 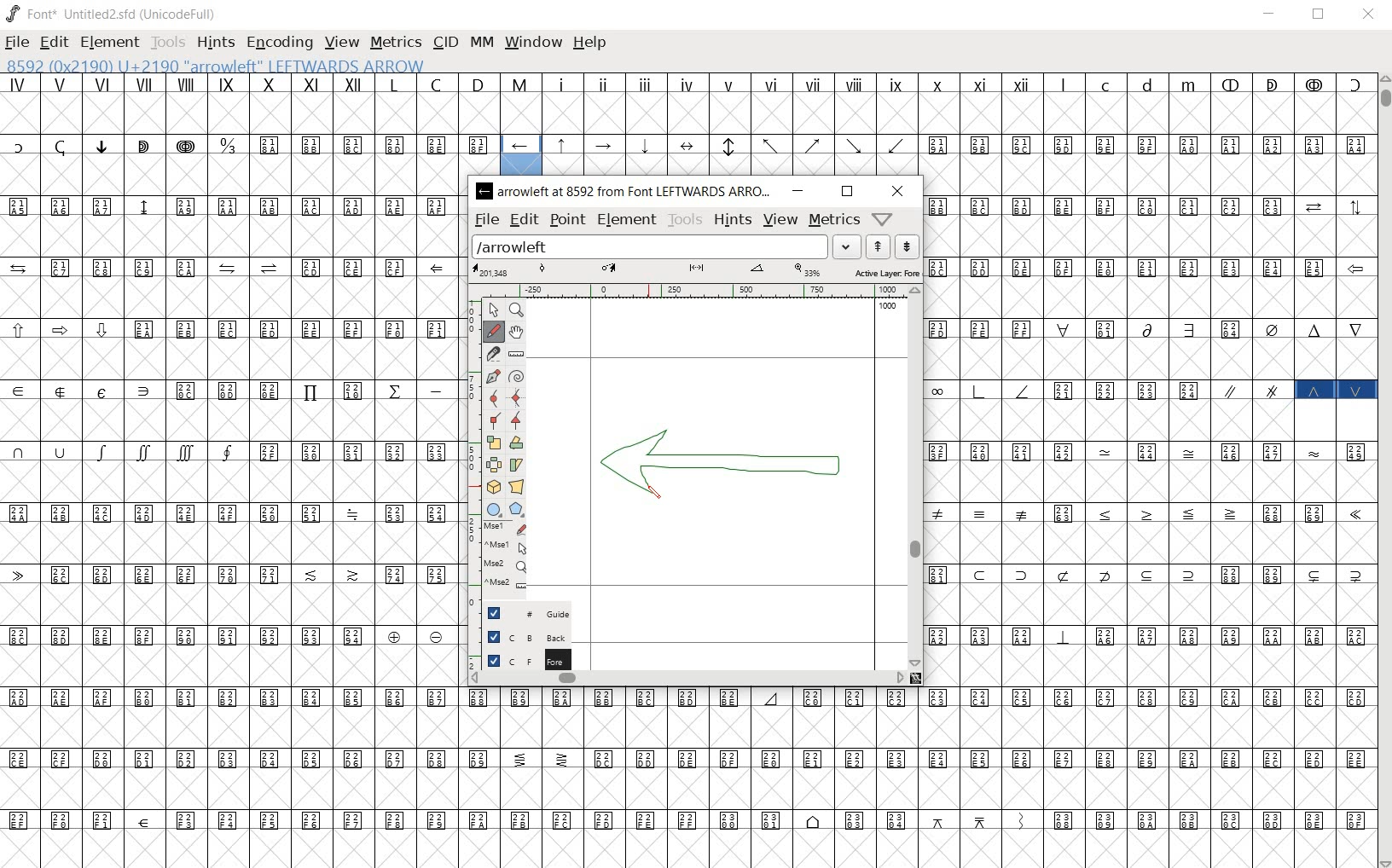 What do you see at coordinates (500, 558) in the screenshot?
I see `cursor events on the opened outline window` at bounding box center [500, 558].